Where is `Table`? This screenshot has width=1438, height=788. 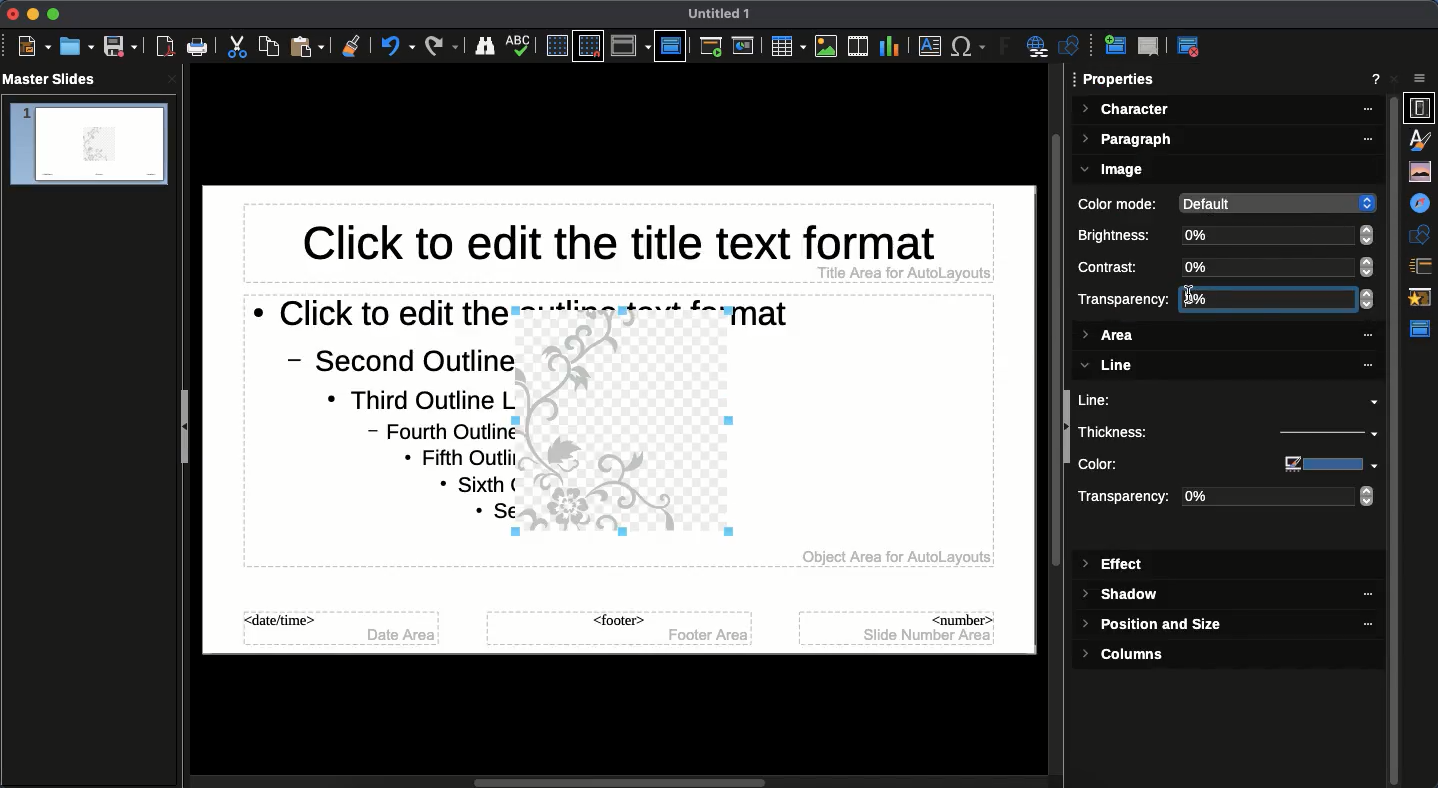
Table is located at coordinates (786, 46).